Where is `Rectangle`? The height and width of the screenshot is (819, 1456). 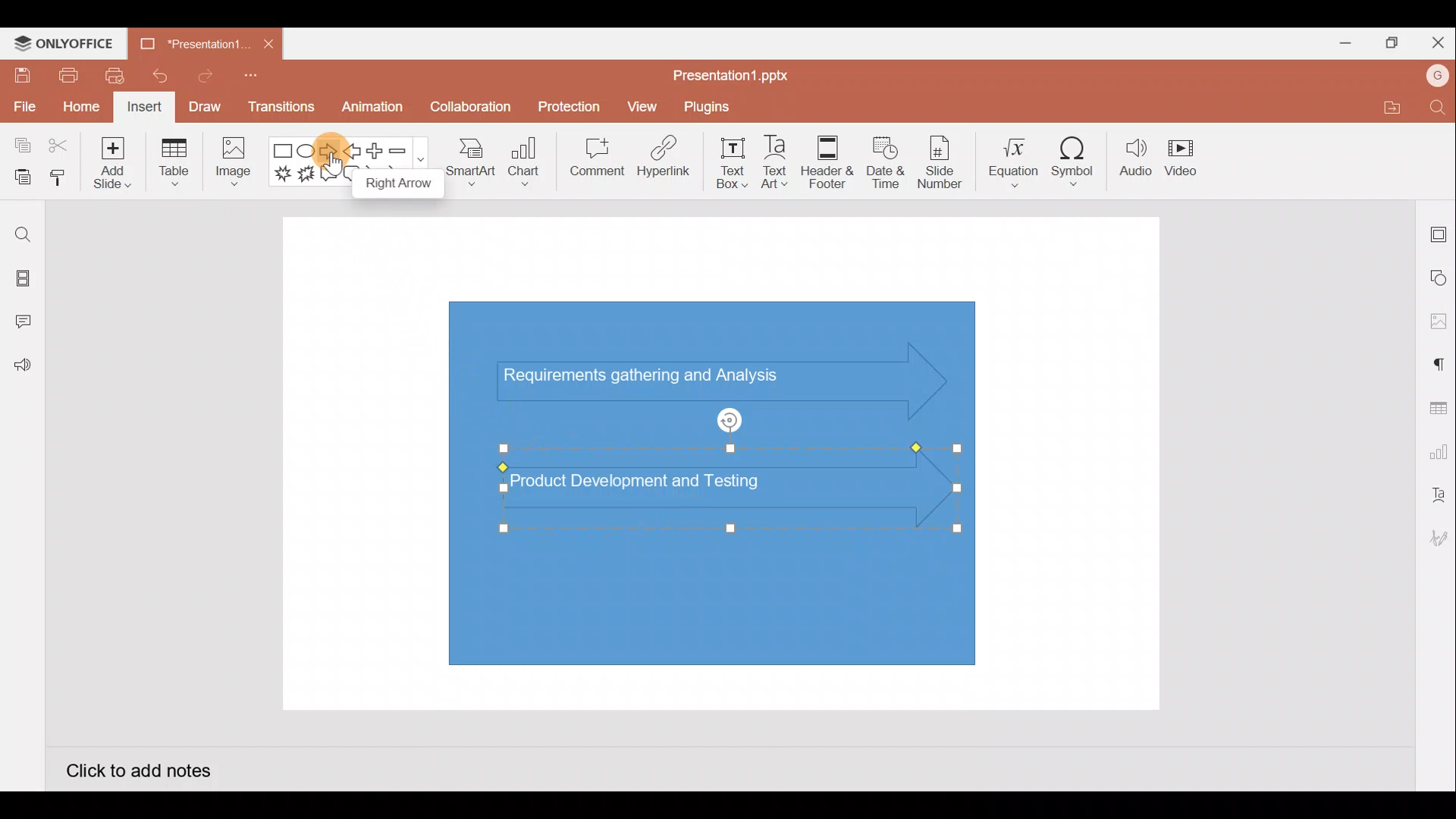 Rectangle is located at coordinates (284, 152).